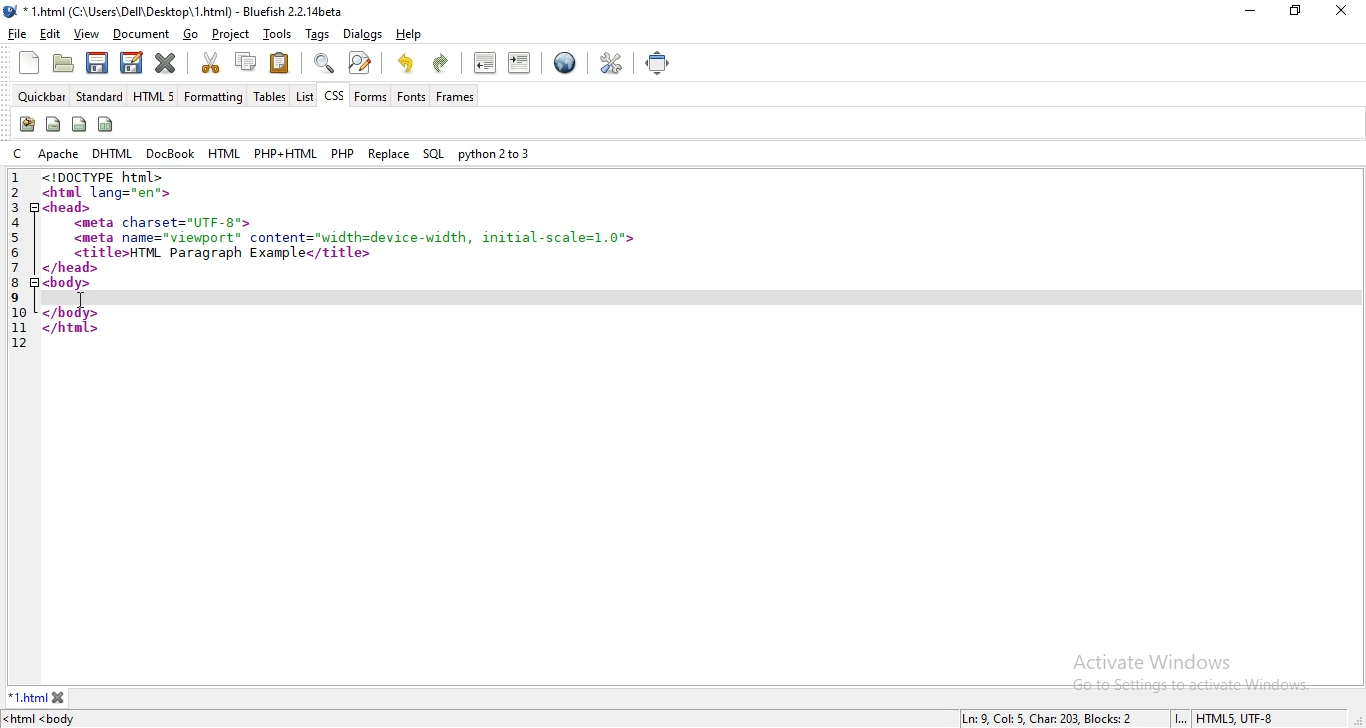 The width and height of the screenshot is (1366, 728). I want to click on php+html, so click(284, 152).